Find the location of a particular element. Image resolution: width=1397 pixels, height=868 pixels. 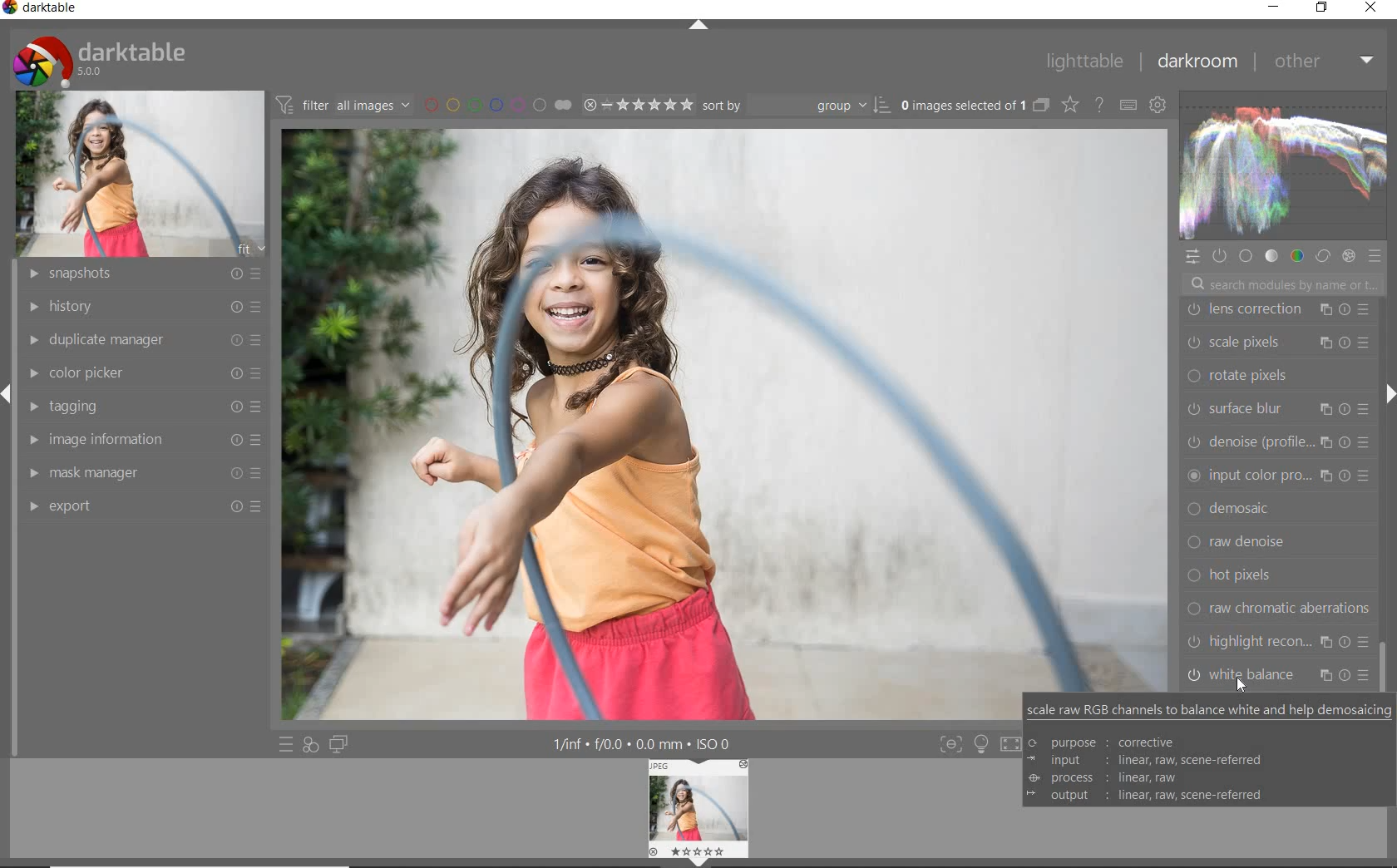

quick access for applying any of your styles is located at coordinates (310, 746).